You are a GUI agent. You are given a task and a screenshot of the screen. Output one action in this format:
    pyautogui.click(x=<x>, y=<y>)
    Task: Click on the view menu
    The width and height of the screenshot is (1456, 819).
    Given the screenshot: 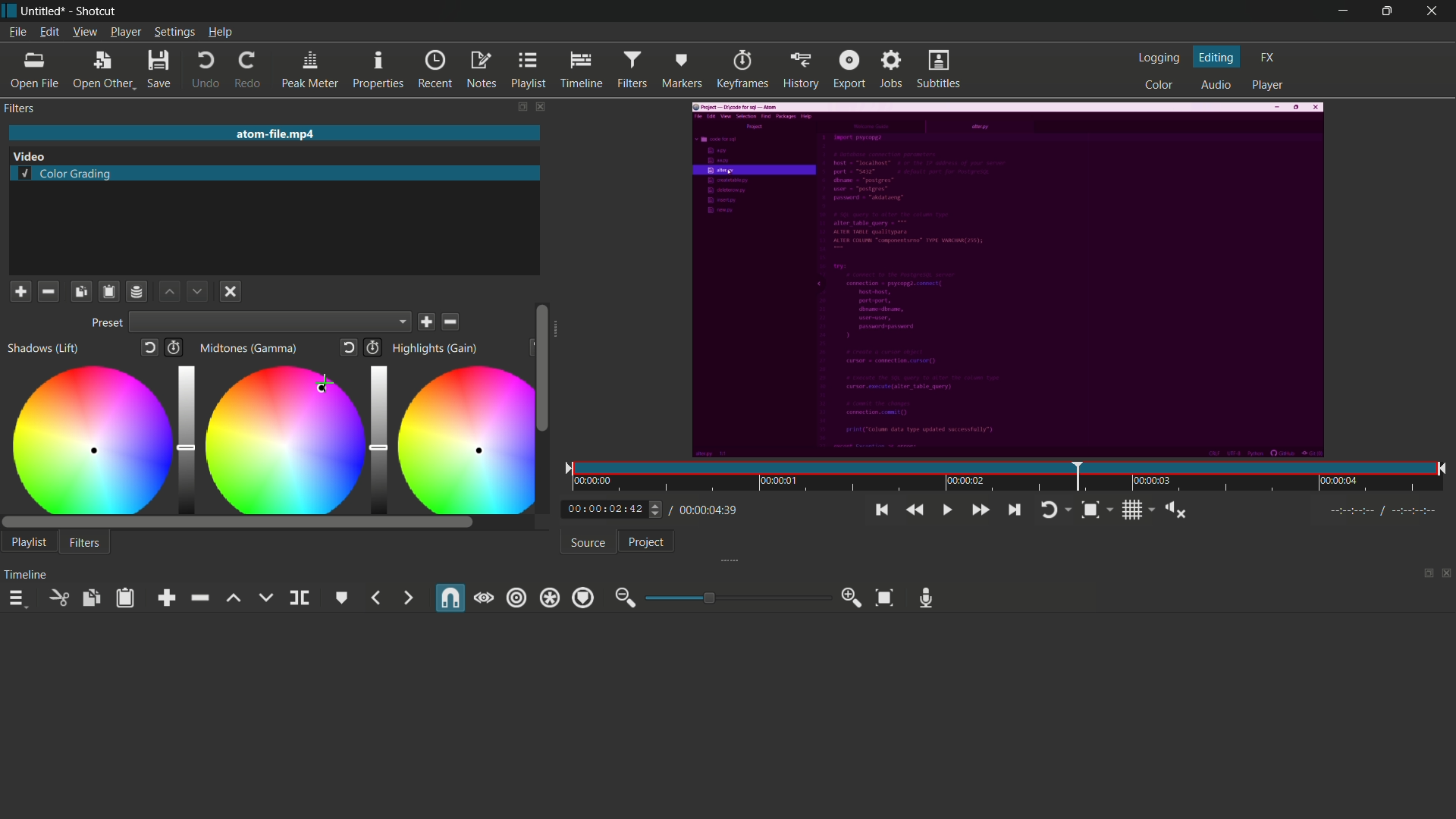 What is the action you would take?
    pyautogui.click(x=85, y=31)
    